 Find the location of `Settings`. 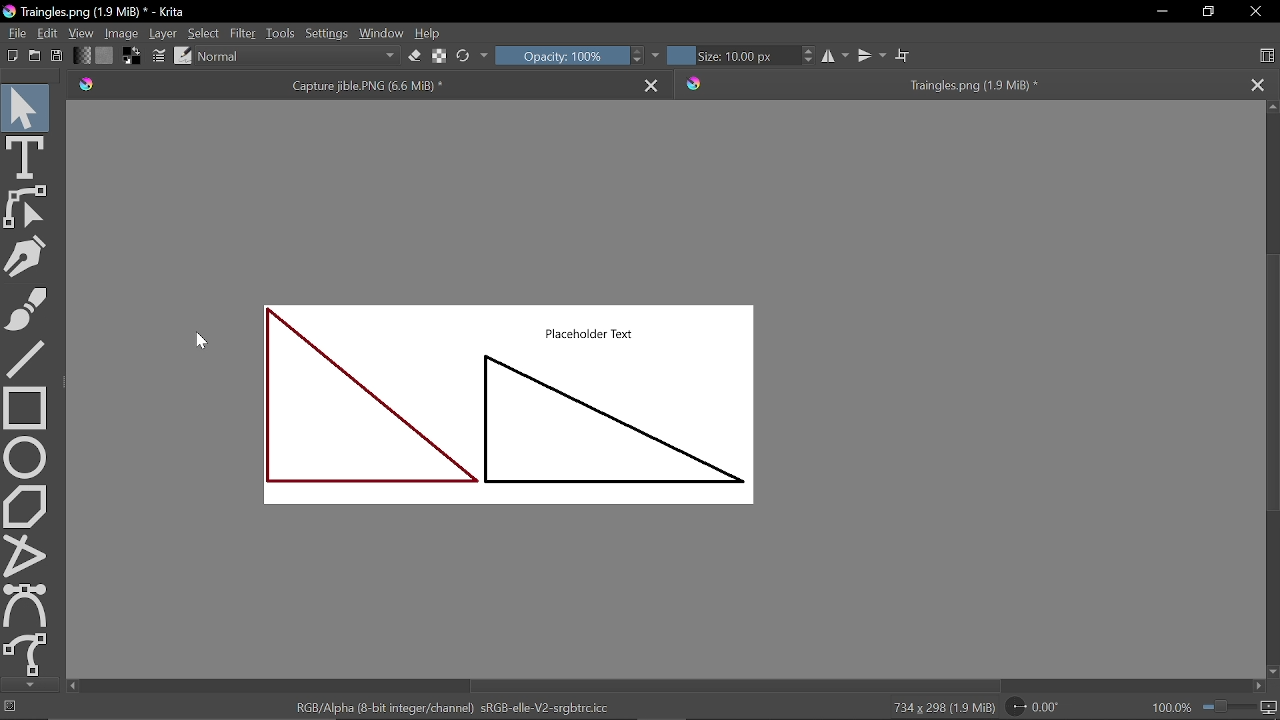

Settings is located at coordinates (326, 32).